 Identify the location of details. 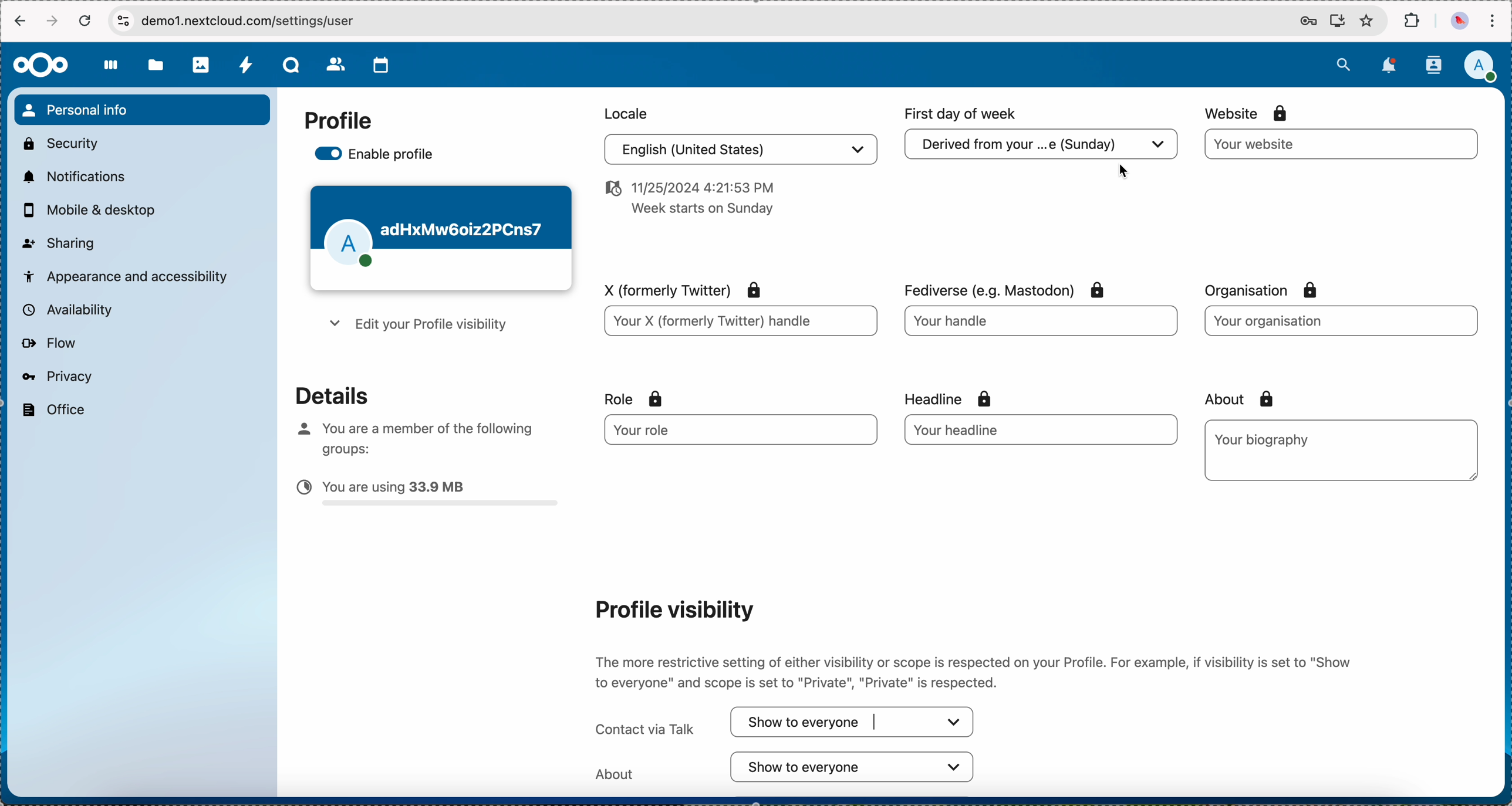
(322, 394).